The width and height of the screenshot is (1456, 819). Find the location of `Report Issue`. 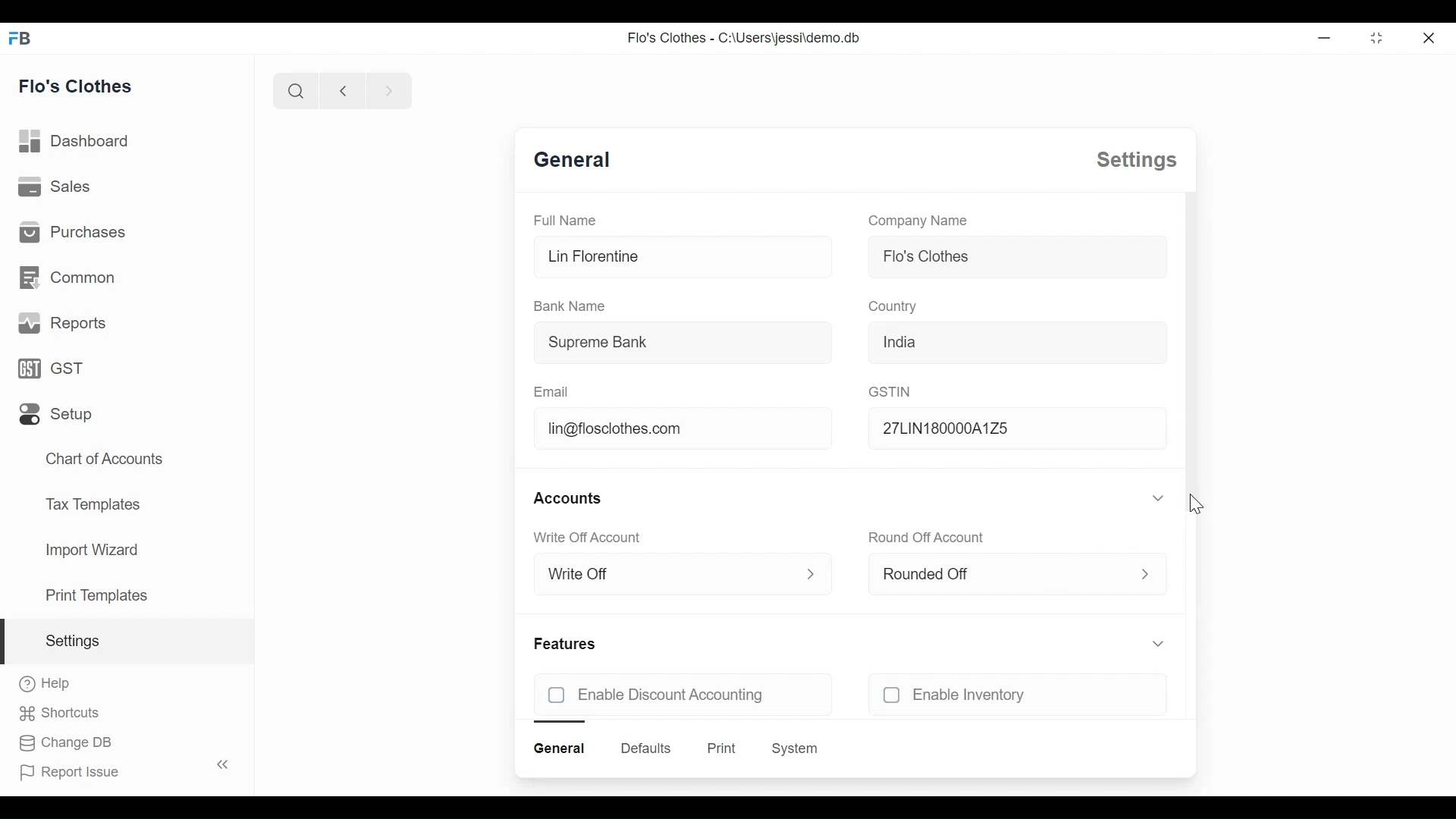

Report Issue is located at coordinates (121, 769).